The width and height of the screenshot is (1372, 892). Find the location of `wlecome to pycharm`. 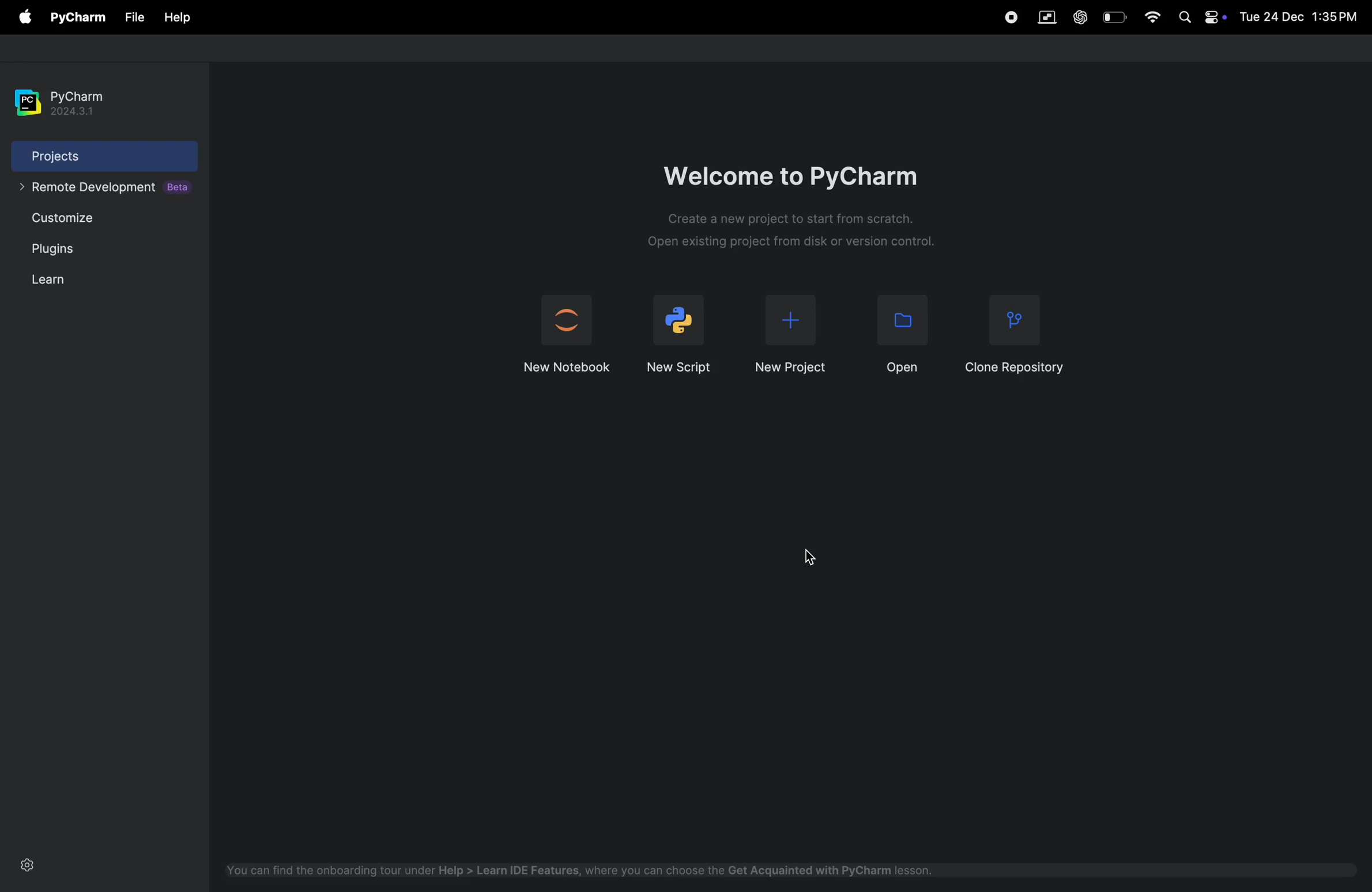

wlecome to pycharm is located at coordinates (789, 173).